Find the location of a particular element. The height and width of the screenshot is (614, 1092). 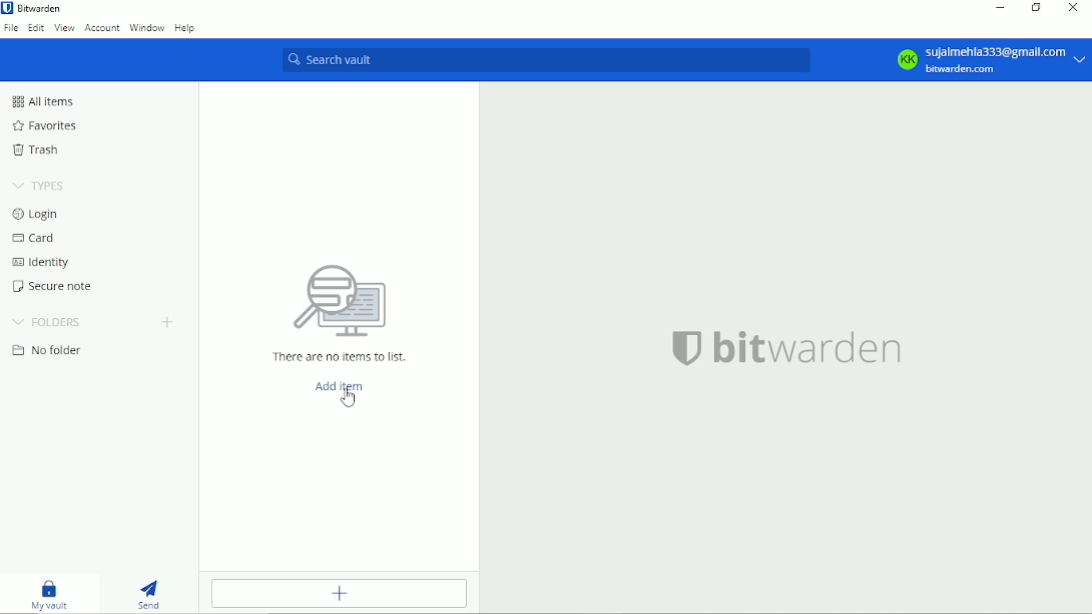

bitwarden logo is located at coordinates (7, 7).